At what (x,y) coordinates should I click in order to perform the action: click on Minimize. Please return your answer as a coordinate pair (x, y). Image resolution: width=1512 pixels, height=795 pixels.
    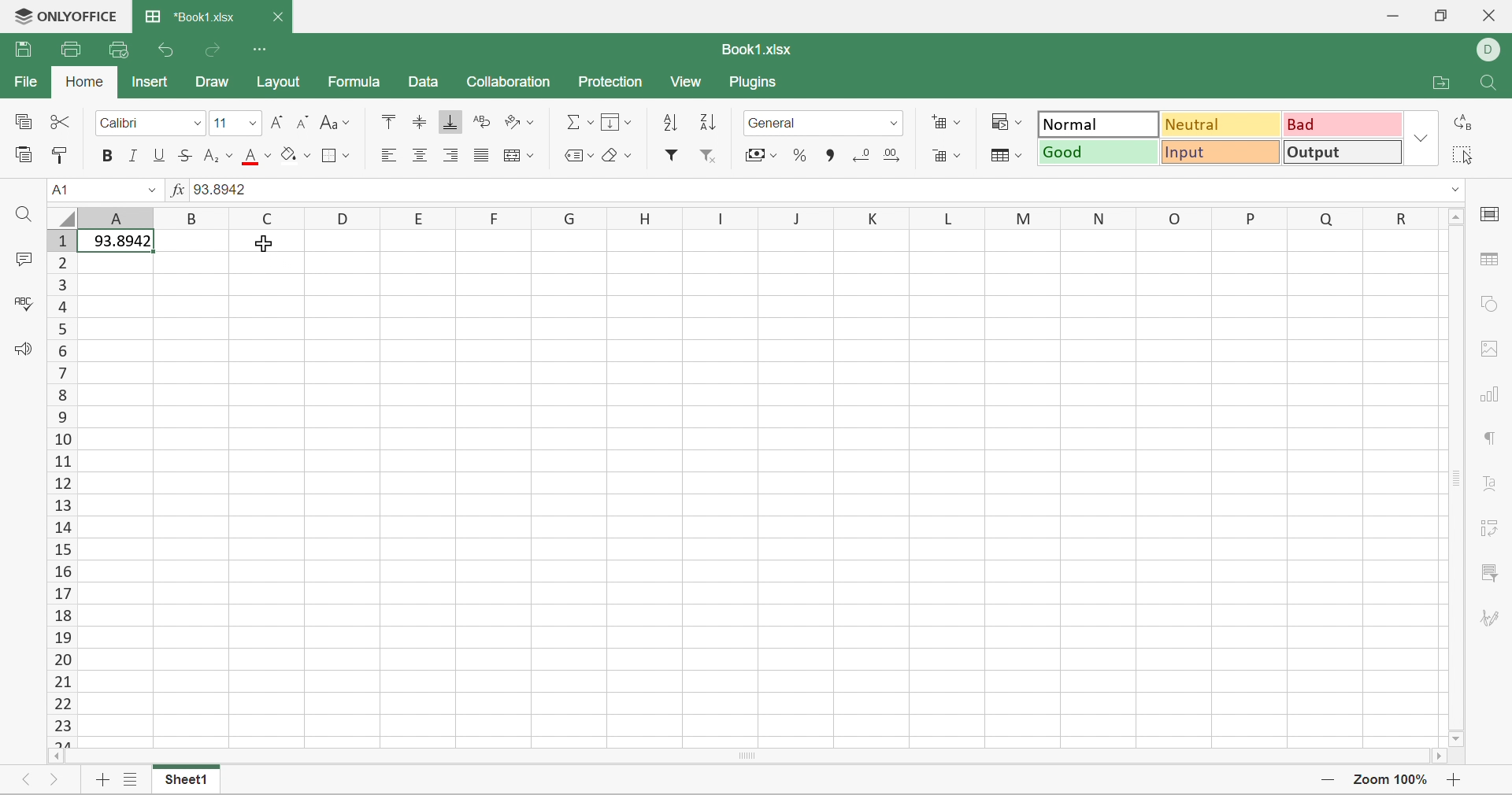
    Looking at the image, I should click on (1390, 16).